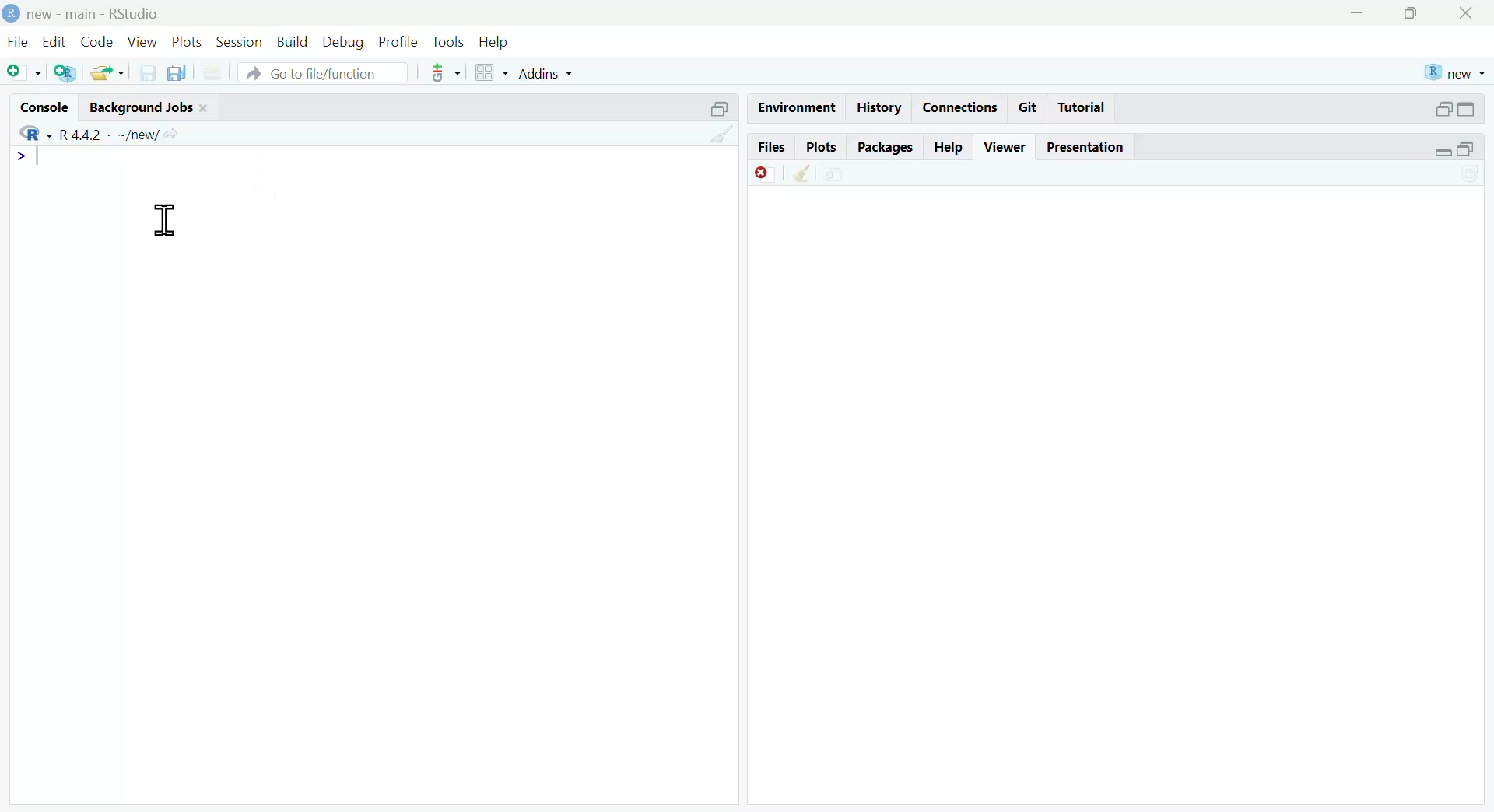 This screenshot has width=1494, height=812. What do you see at coordinates (316, 73) in the screenshot?
I see `A Go to file/function` at bounding box center [316, 73].